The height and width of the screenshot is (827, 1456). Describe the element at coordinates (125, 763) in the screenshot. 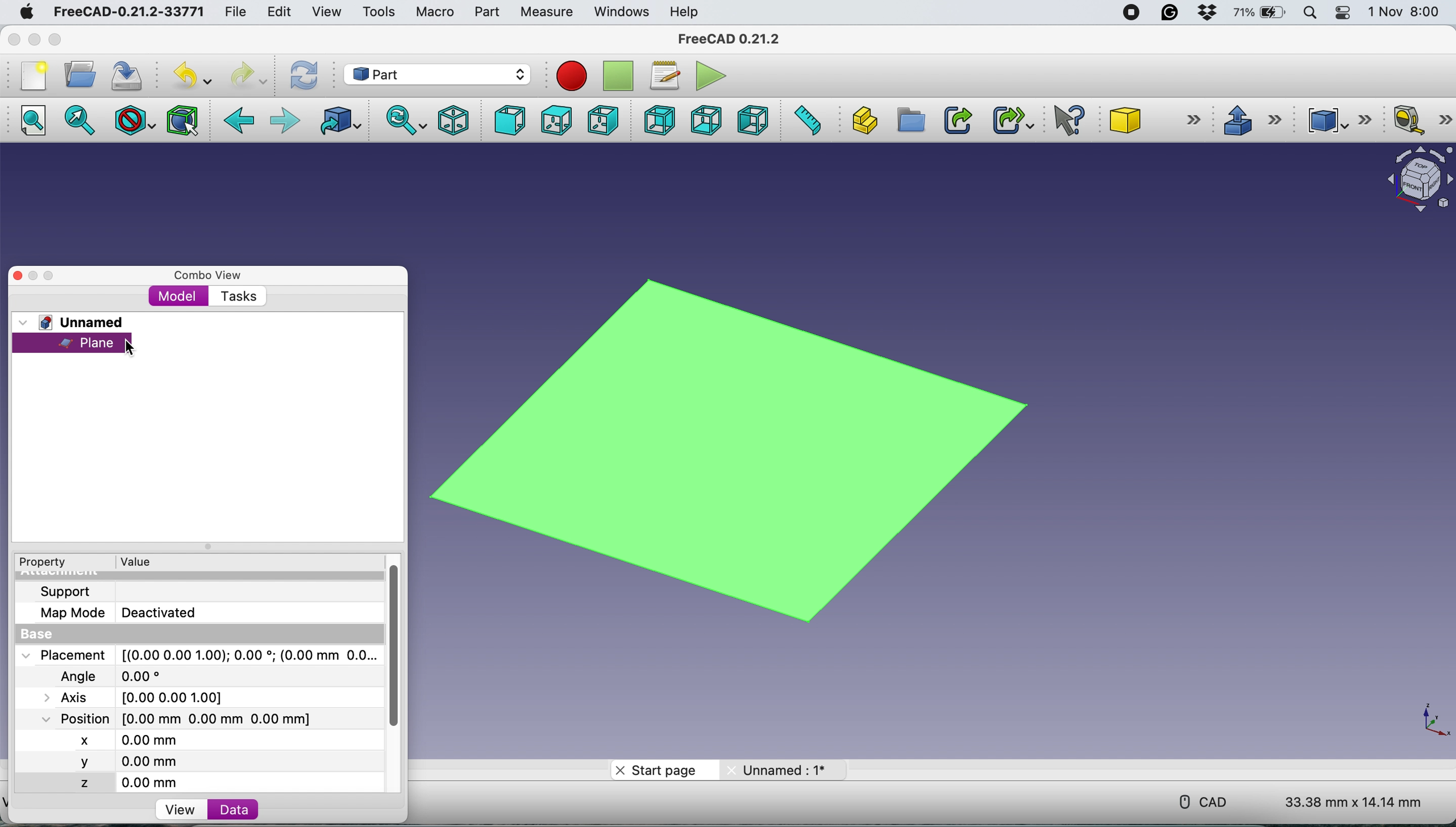

I see `y 0.00 mm` at that location.